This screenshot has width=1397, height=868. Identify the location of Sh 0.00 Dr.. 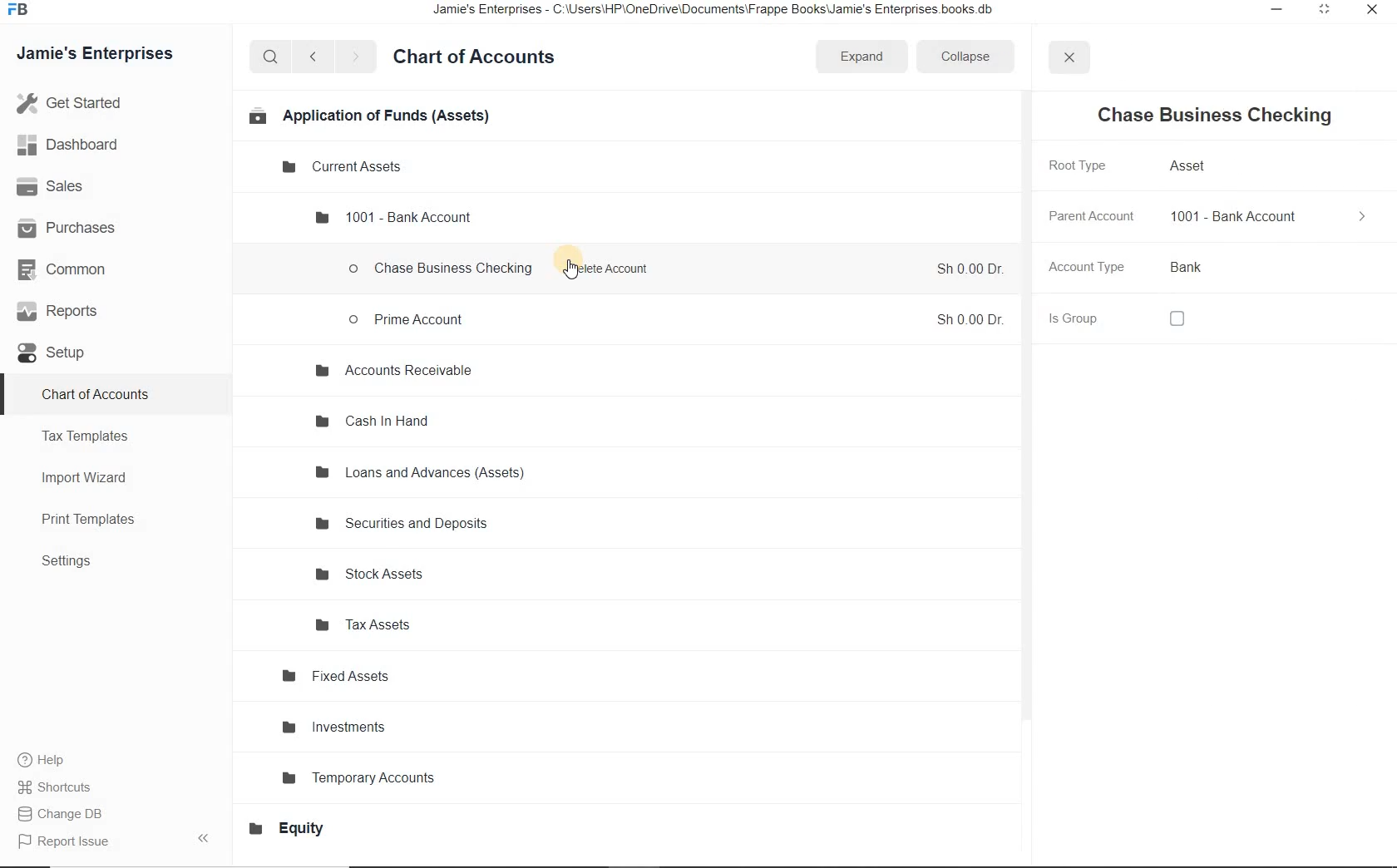
(969, 269).